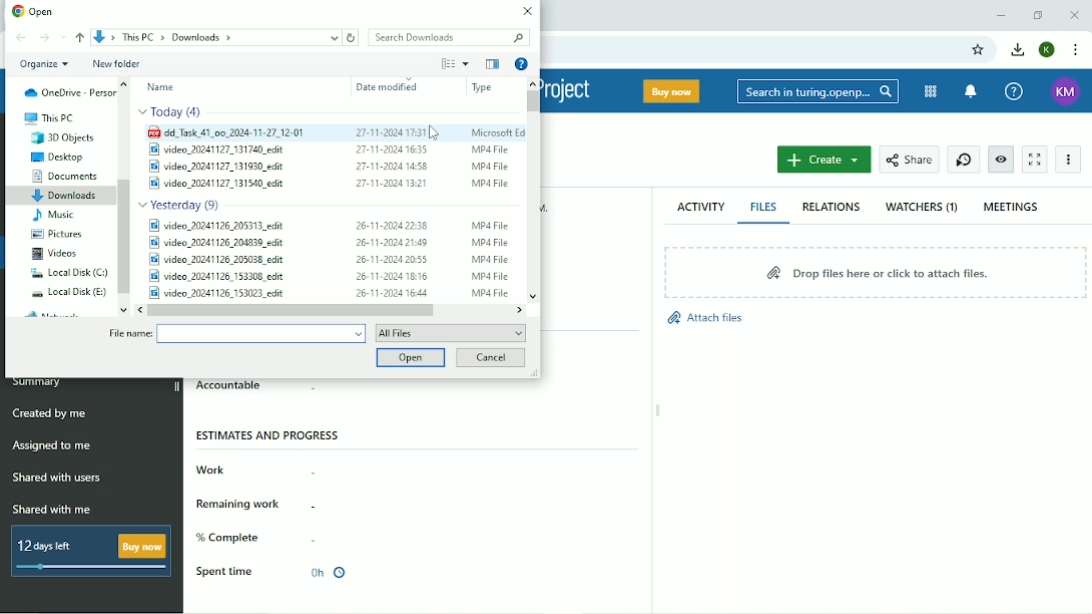 Image resolution: width=1092 pixels, height=614 pixels. What do you see at coordinates (1074, 14) in the screenshot?
I see `Close` at bounding box center [1074, 14].